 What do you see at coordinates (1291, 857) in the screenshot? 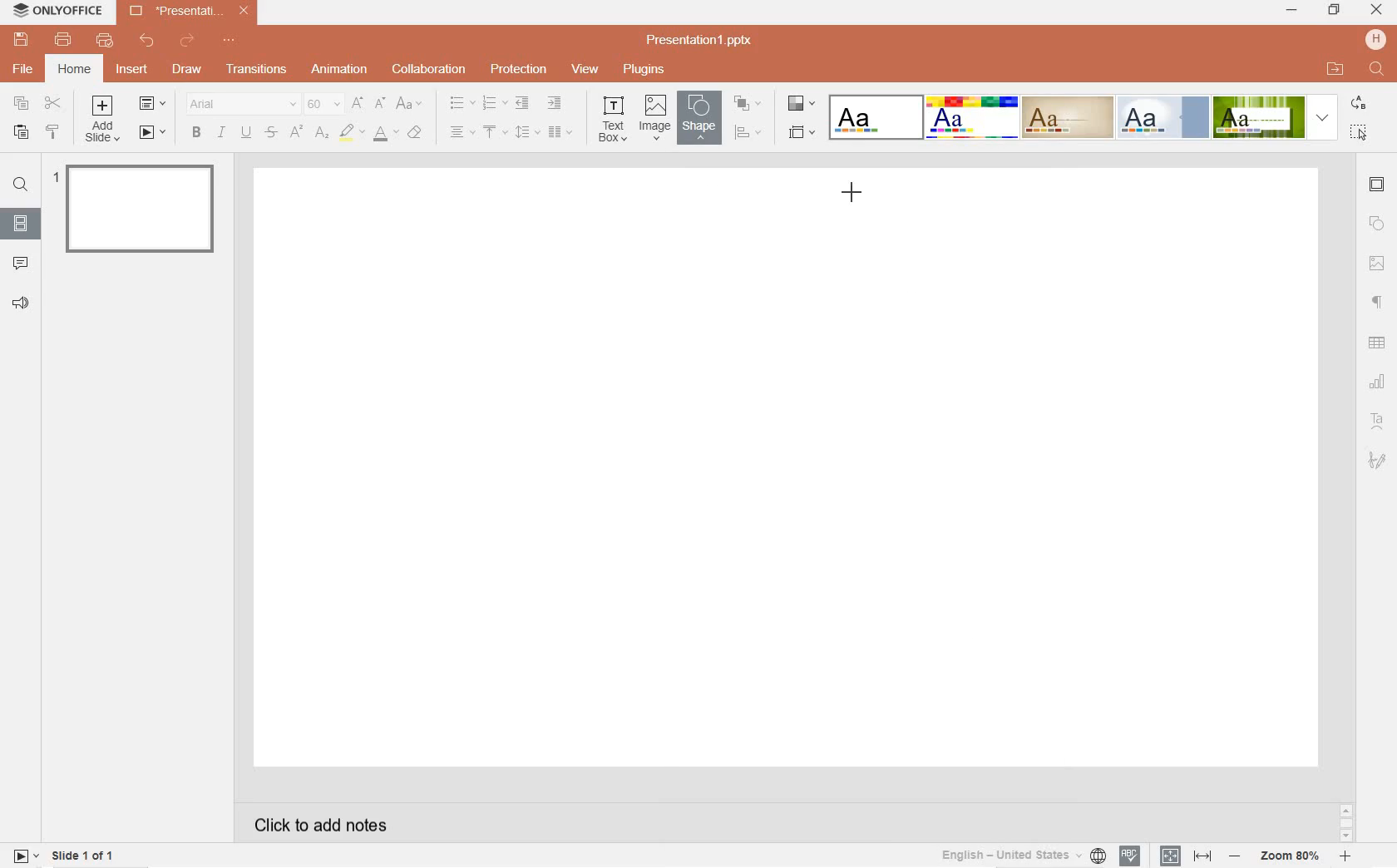
I see `Zoom 80%` at bounding box center [1291, 857].